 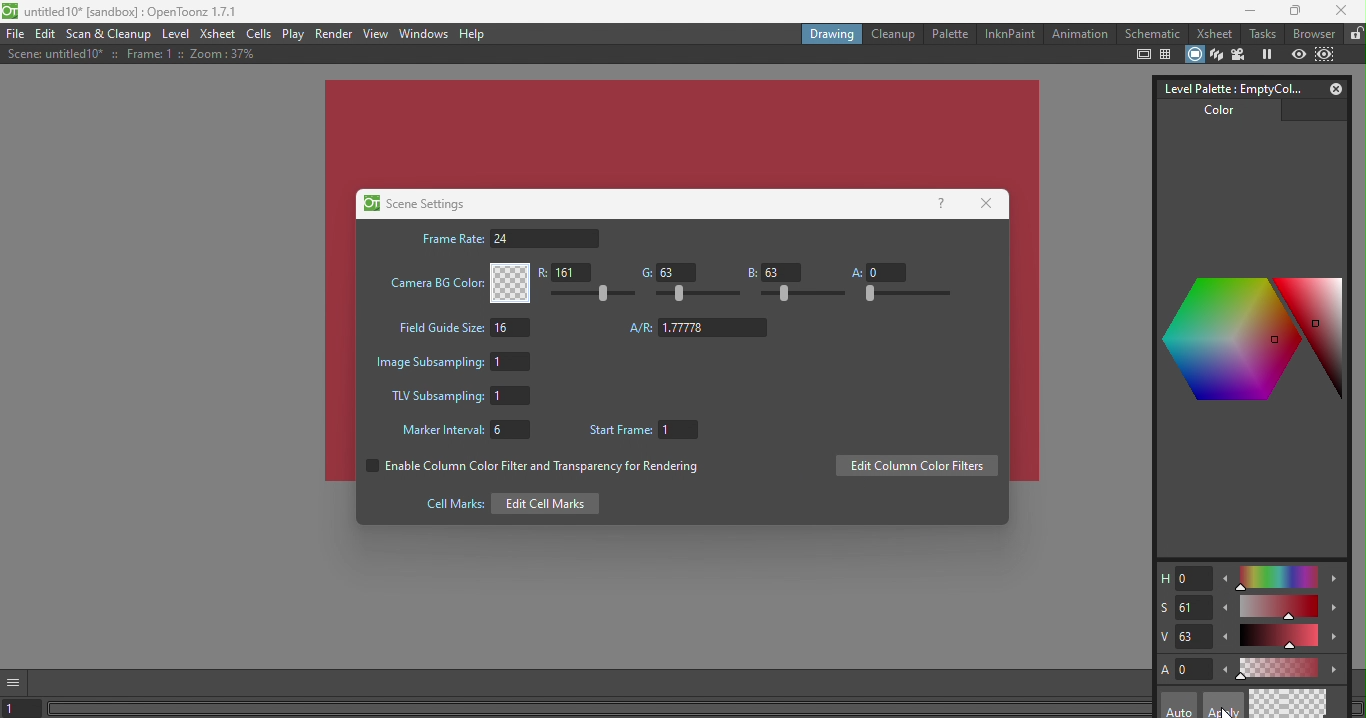 I want to click on Decrease, so click(x=1225, y=672).